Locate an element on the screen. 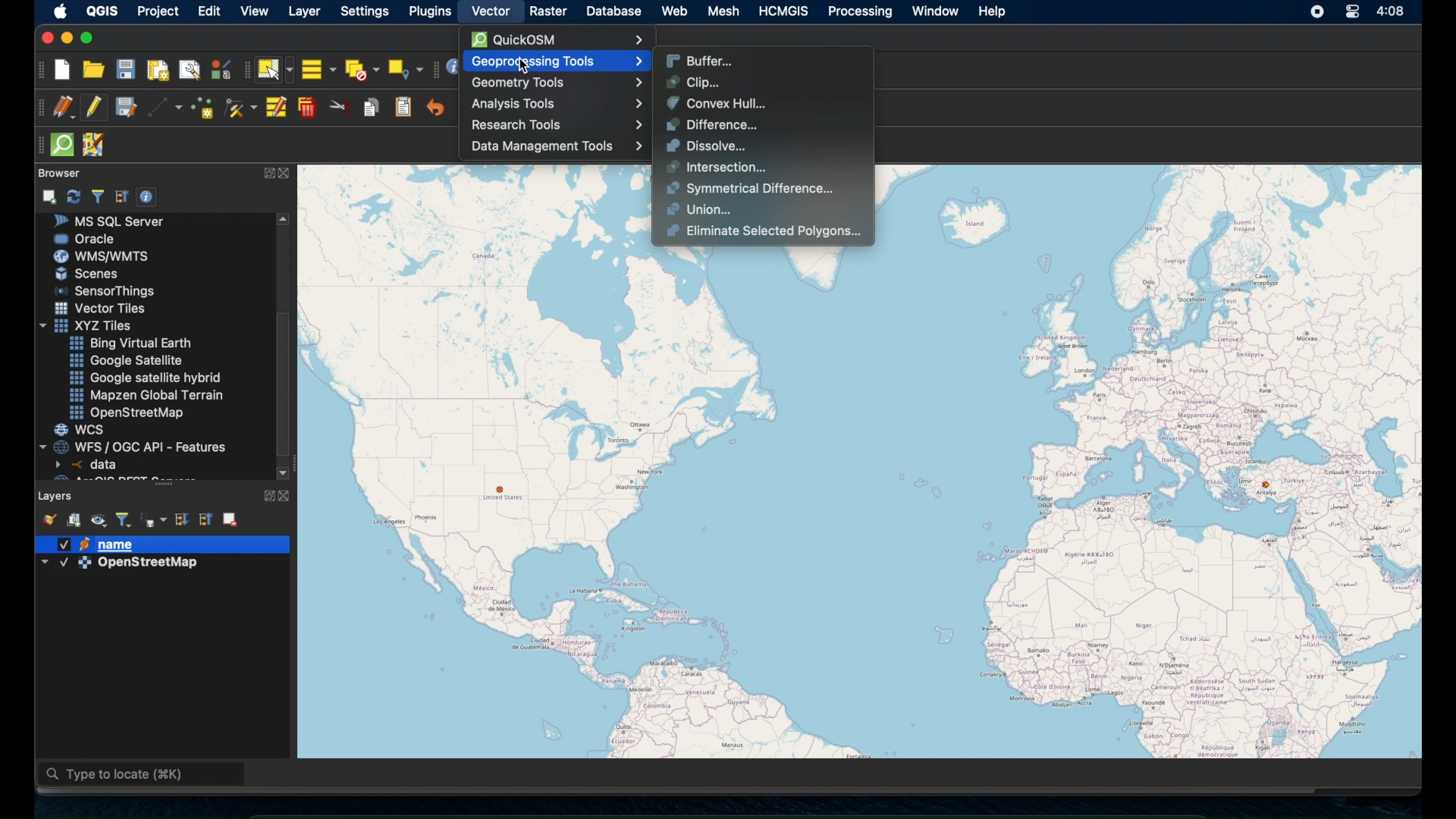 Image resolution: width=1456 pixels, height=819 pixels. ms sql server is located at coordinates (115, 221).